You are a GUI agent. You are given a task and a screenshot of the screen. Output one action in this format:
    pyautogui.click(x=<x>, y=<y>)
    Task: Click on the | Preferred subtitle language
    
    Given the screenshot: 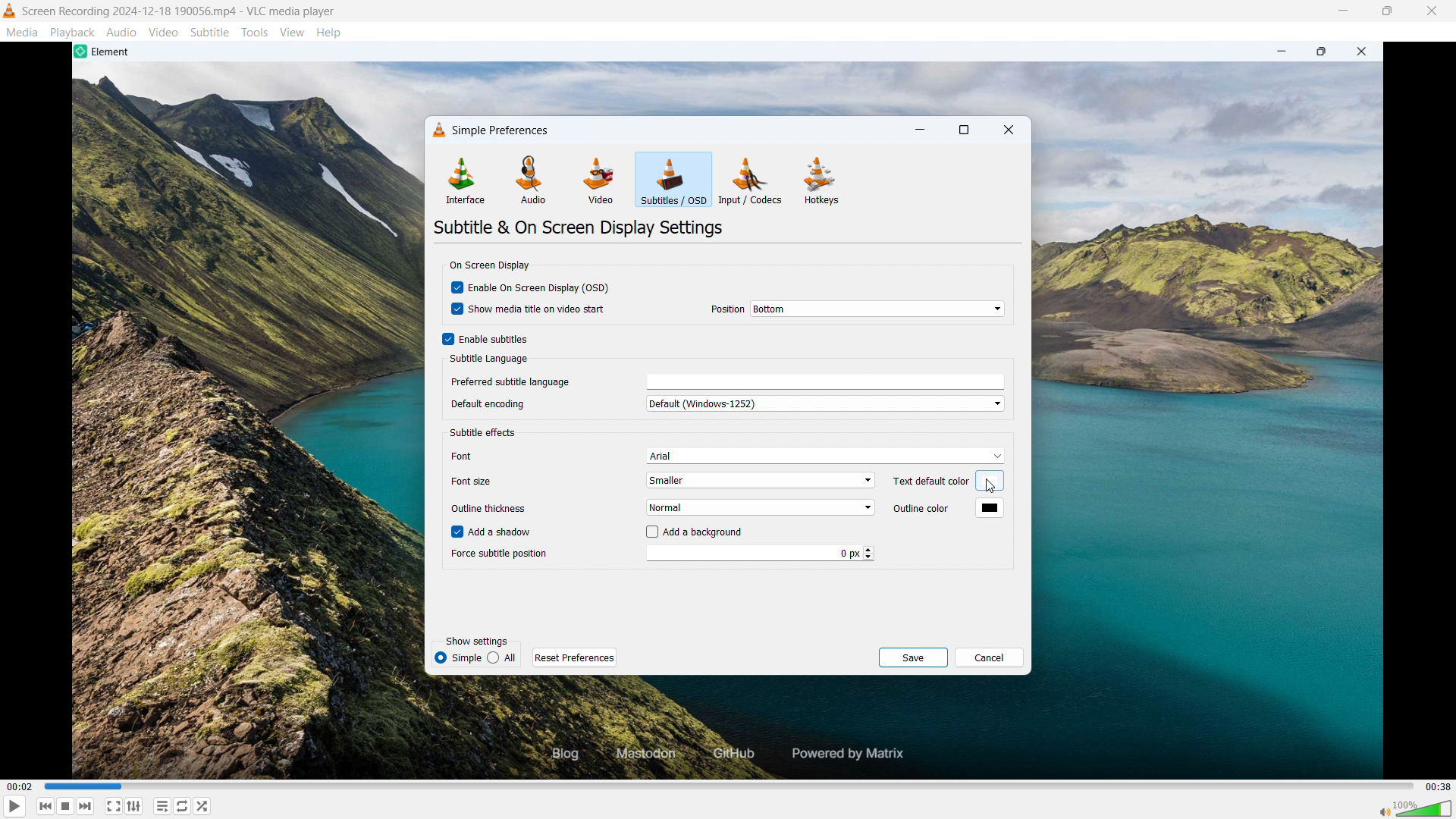 What is the action you would take?
    pyautogui.click(x=521, y=380)
    